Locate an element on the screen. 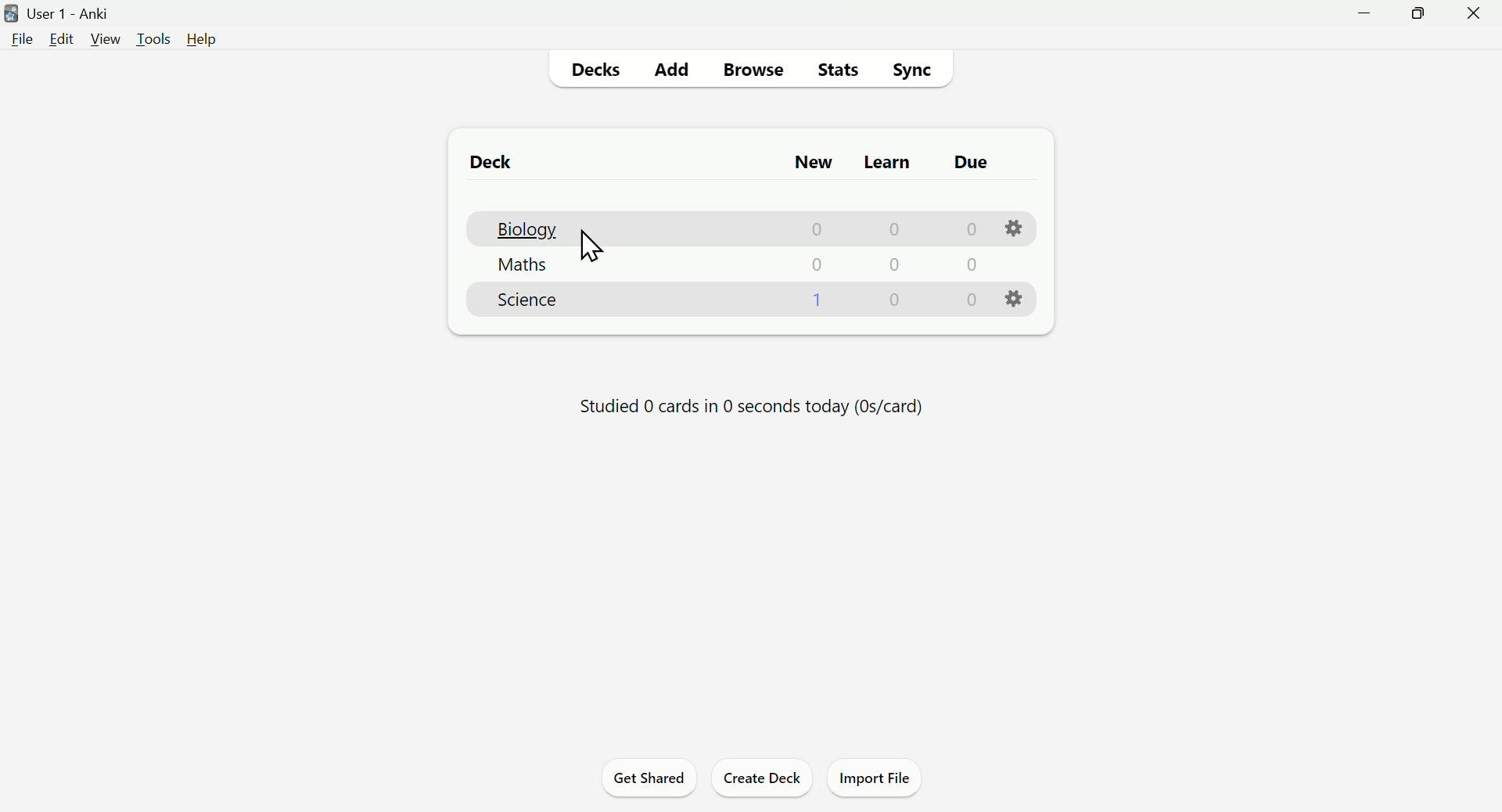 The width and height of the screenshot is (1502, 812). File is located at coordinates (23, 38).